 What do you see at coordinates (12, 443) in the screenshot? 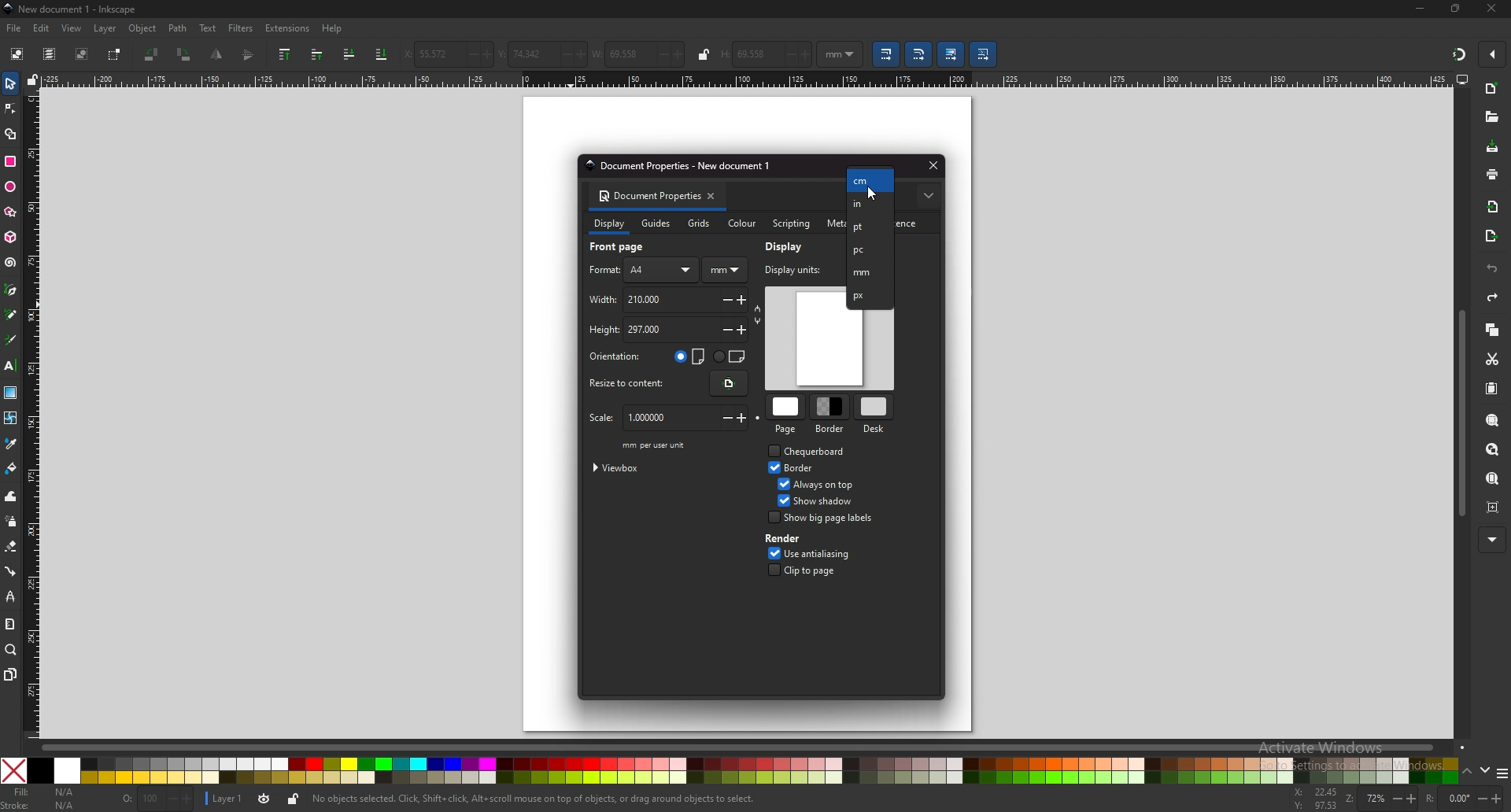
I see `dropper` at bounding box center [12, 443].